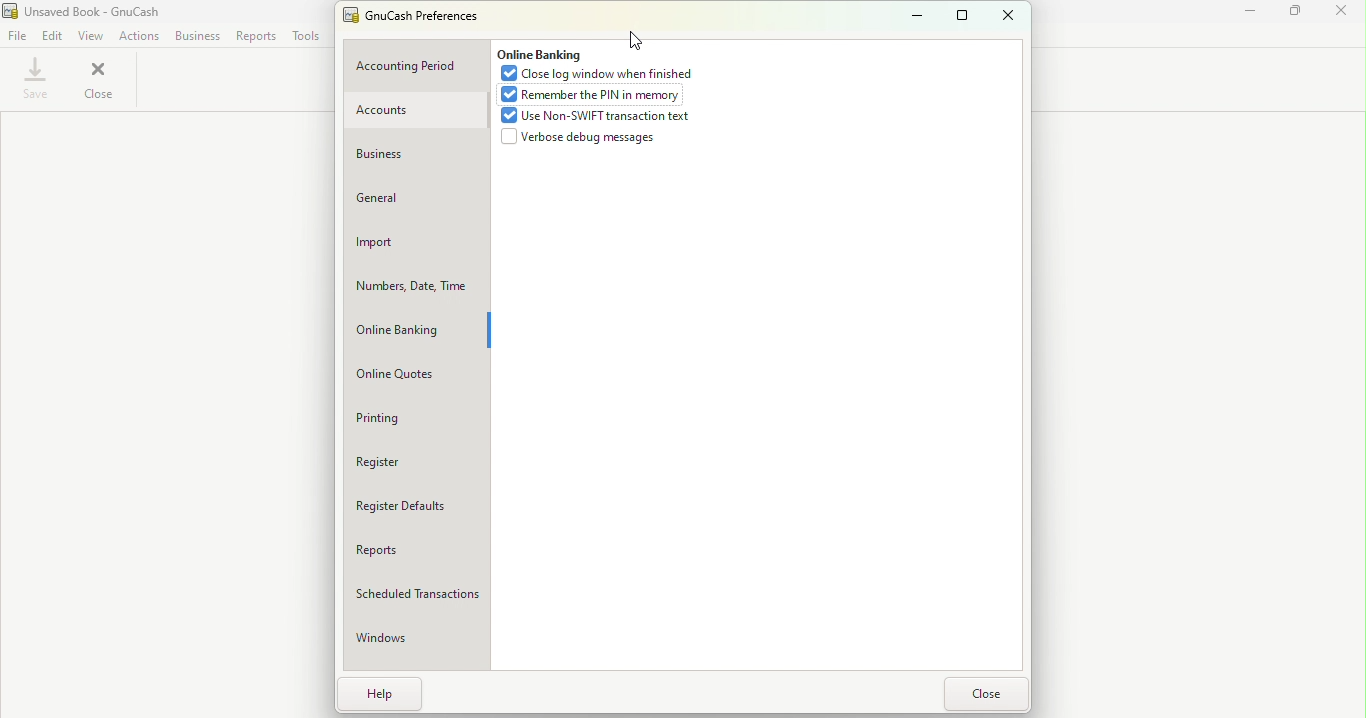 This screenshot has height=718, width=1366. What do you see at coordinates (414, 66) in the screenshot?
I see `Accounting period` at bounding box center [414, 66].